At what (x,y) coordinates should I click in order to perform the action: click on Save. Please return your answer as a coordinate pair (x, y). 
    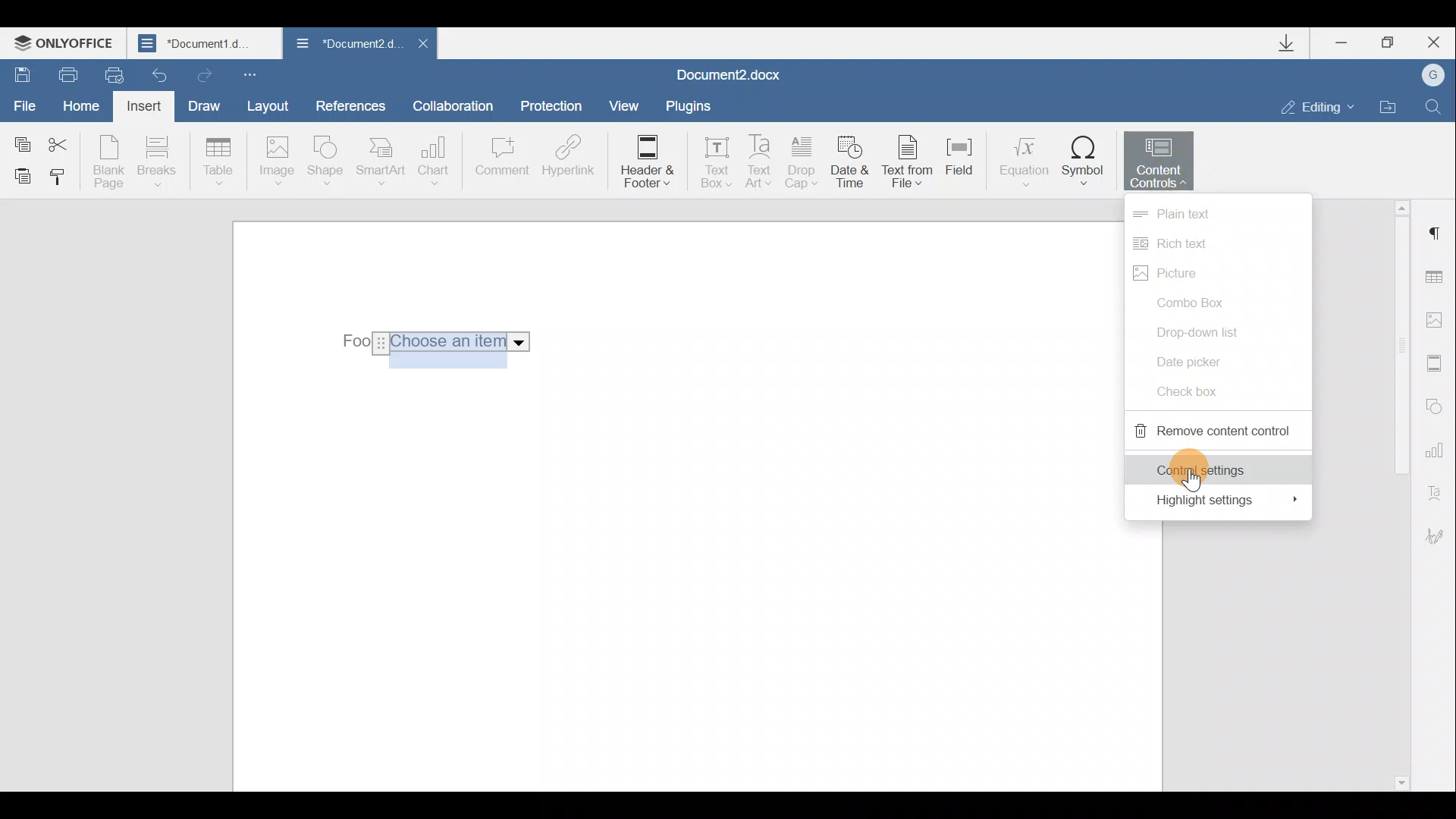
    Looking at the image, I should click on (17, 73).